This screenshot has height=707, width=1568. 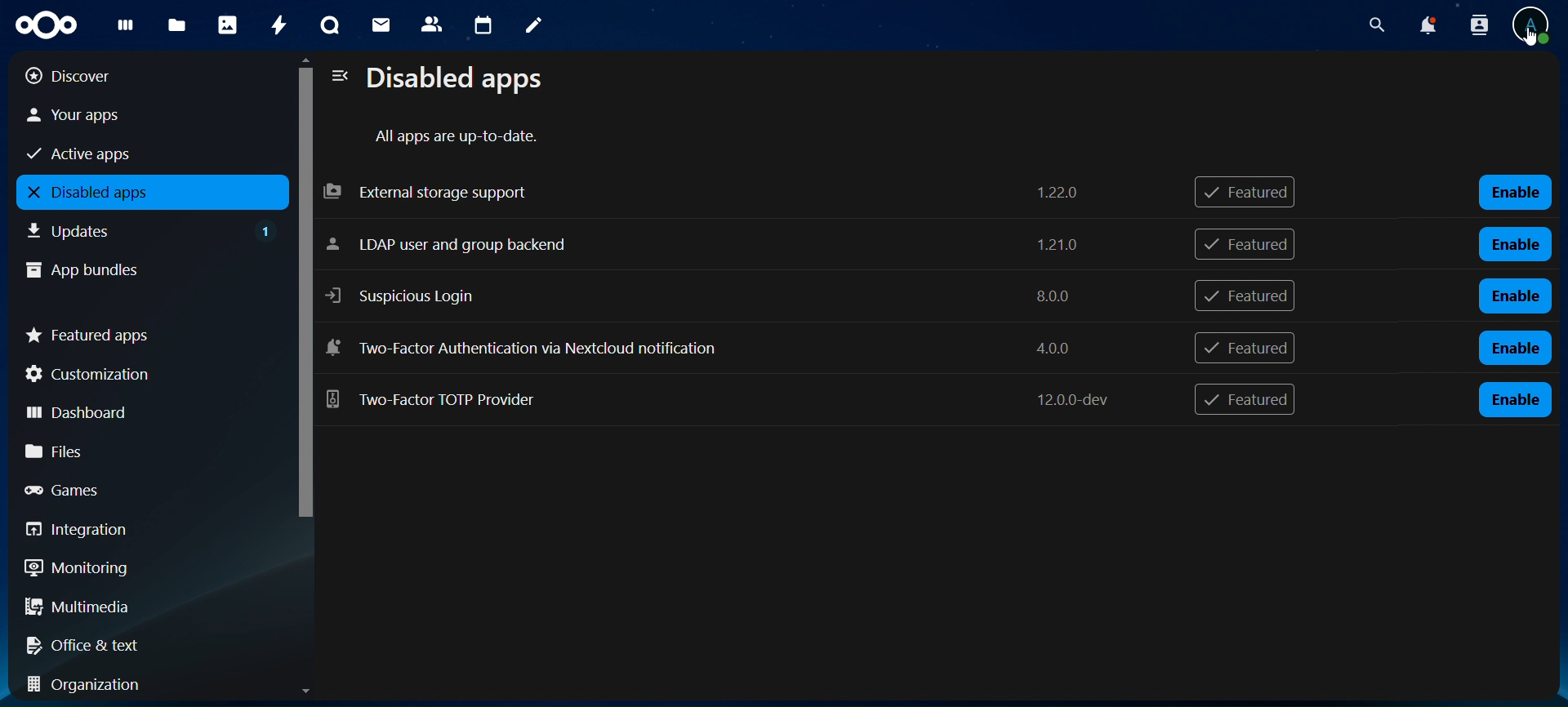 I want to click on office & text, so click(x=138, y=642).